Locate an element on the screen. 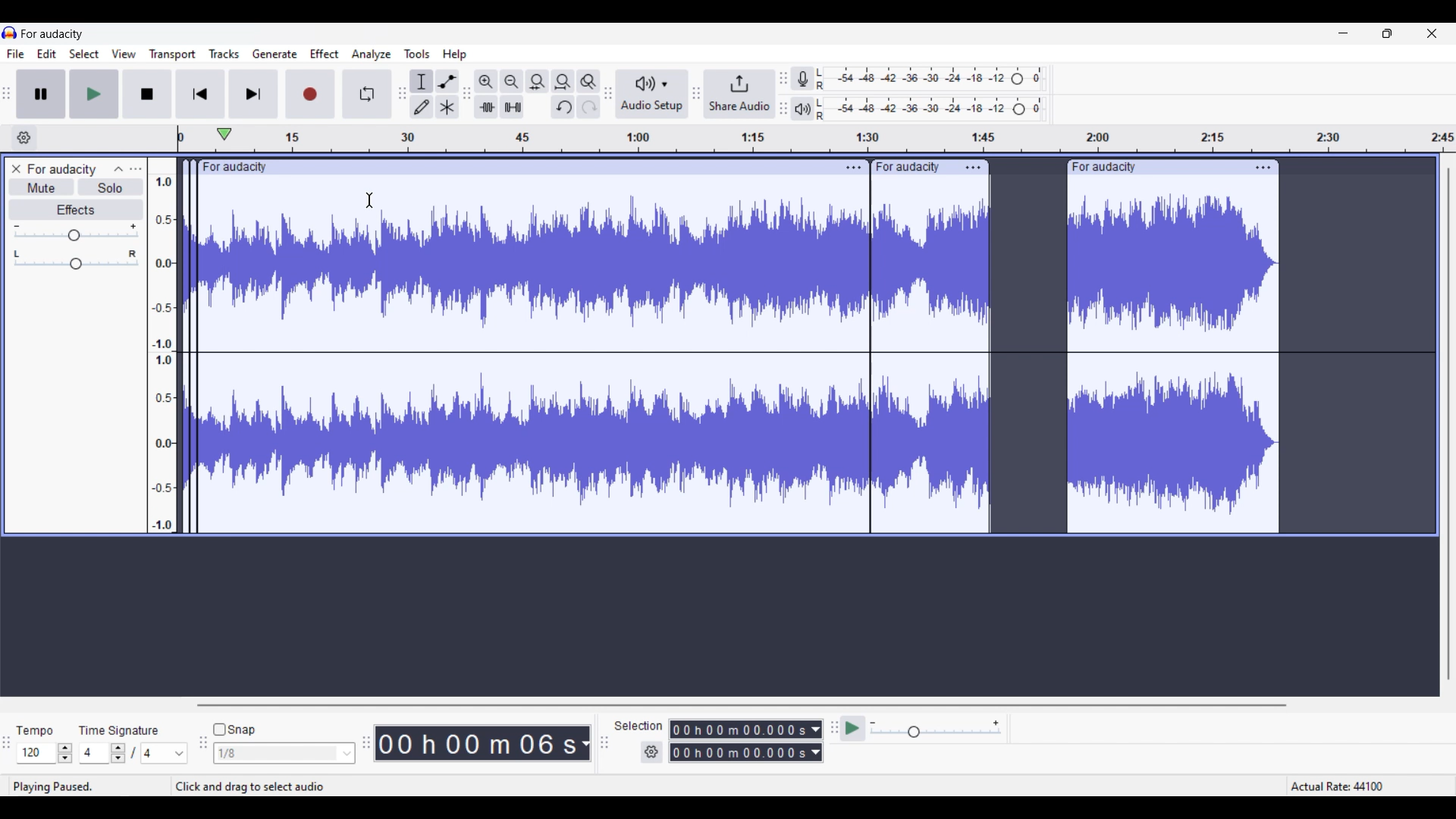 The width and height of the screenshot is (1456, 819). draw tool is located at coordinates (422, 107).